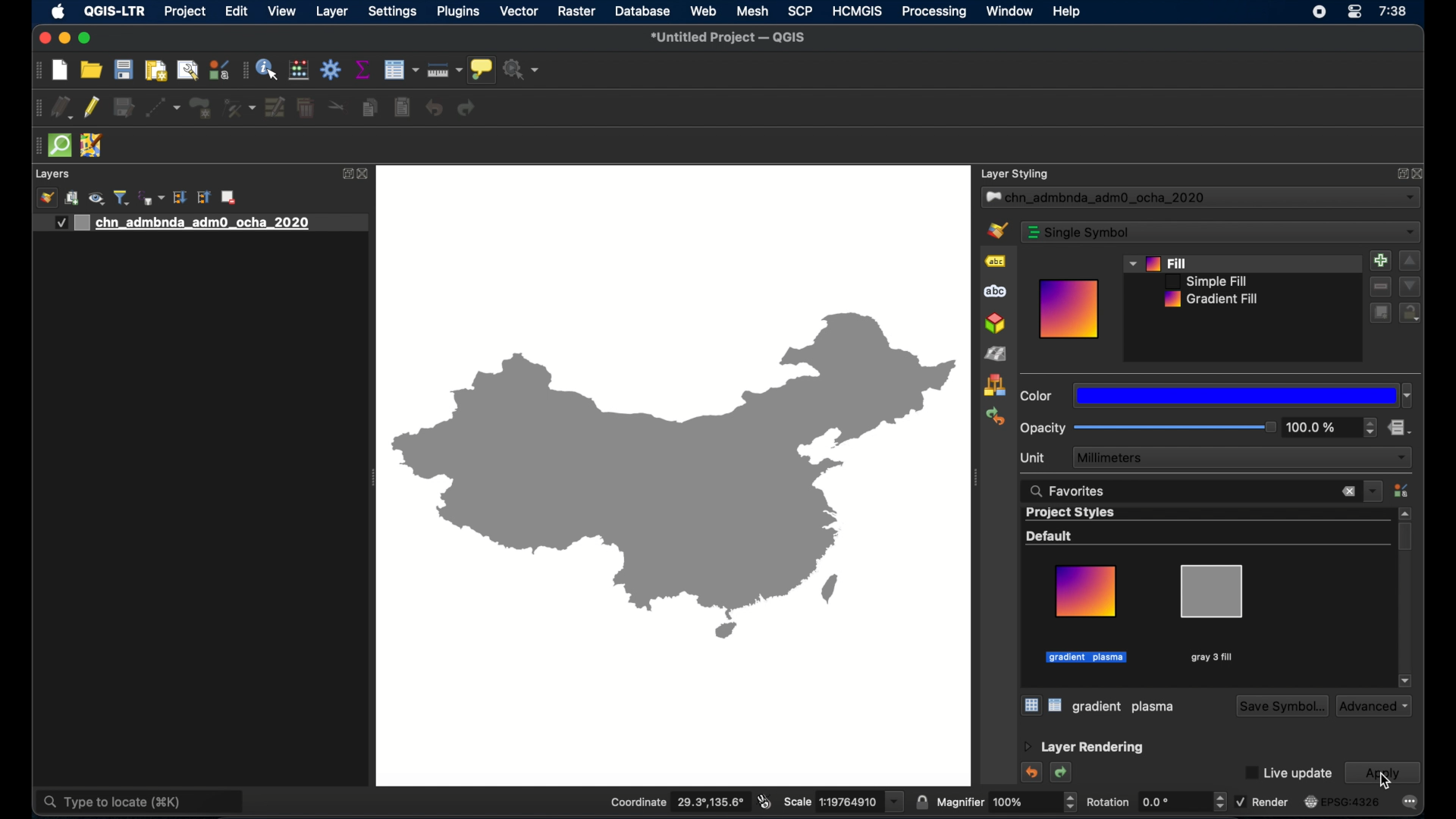  Describe the element at coordinates (239, 108) in the screenshot. I see `vertex tool` at that location.